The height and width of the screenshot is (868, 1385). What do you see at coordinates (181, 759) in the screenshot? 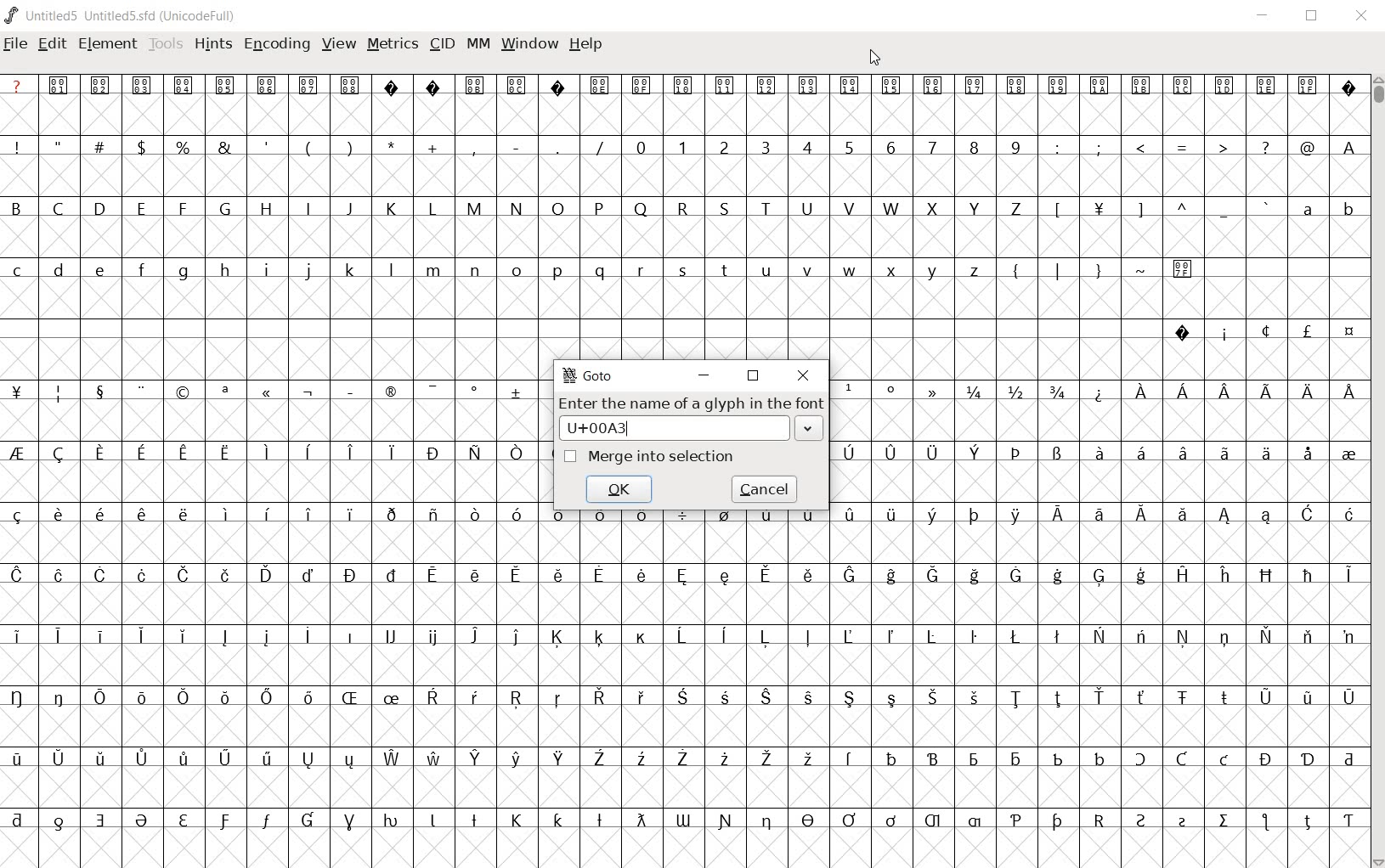
I see `Symbol` at bounding box center [181, 759].